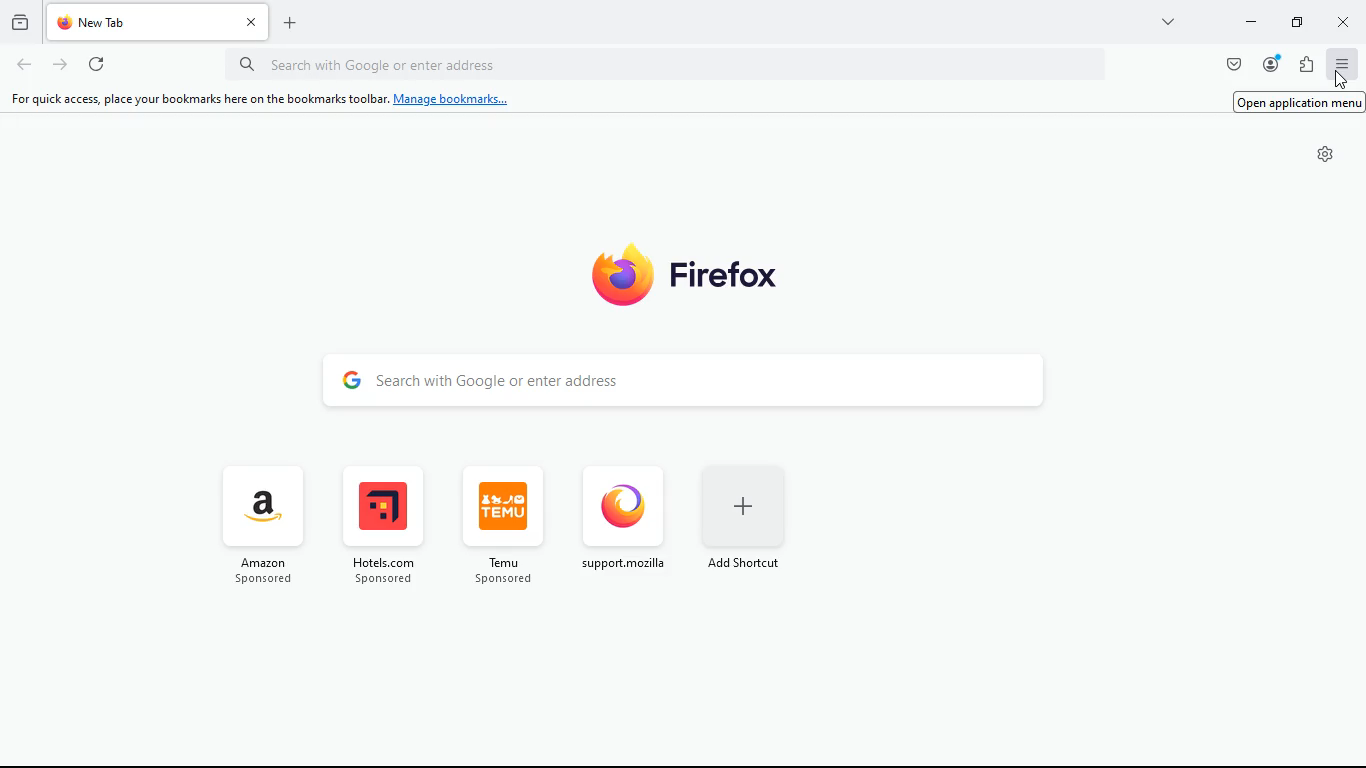 This screenshot has width=1366, height=768. What do you see at coordinates (196, 99) in the screenshot?
I see `For quick access, place your bookmarks here on the bookmarks toolbar.` at bounding box center [196, 99].